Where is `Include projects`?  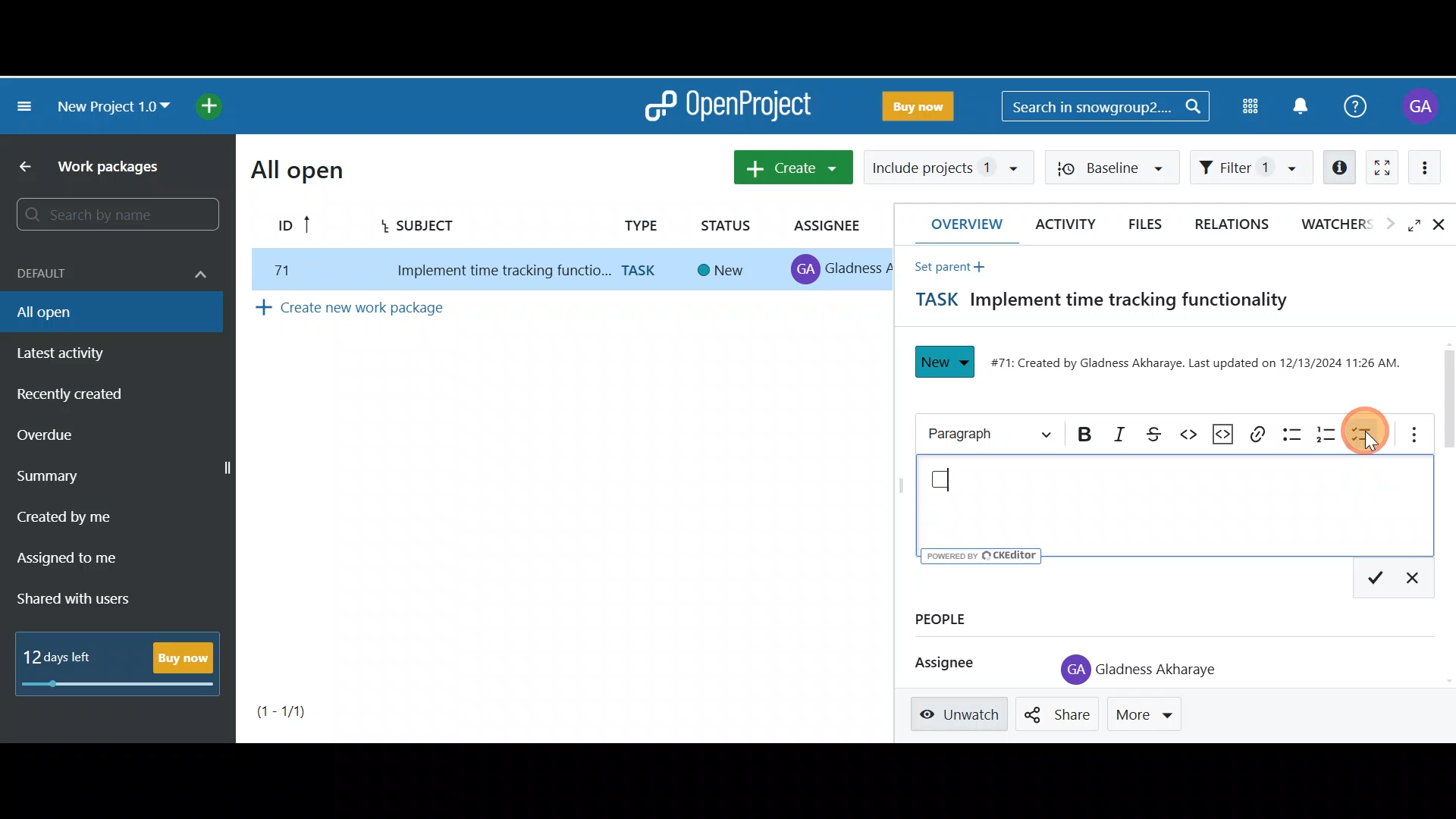 Include projects is located at coordinates (946, 166).